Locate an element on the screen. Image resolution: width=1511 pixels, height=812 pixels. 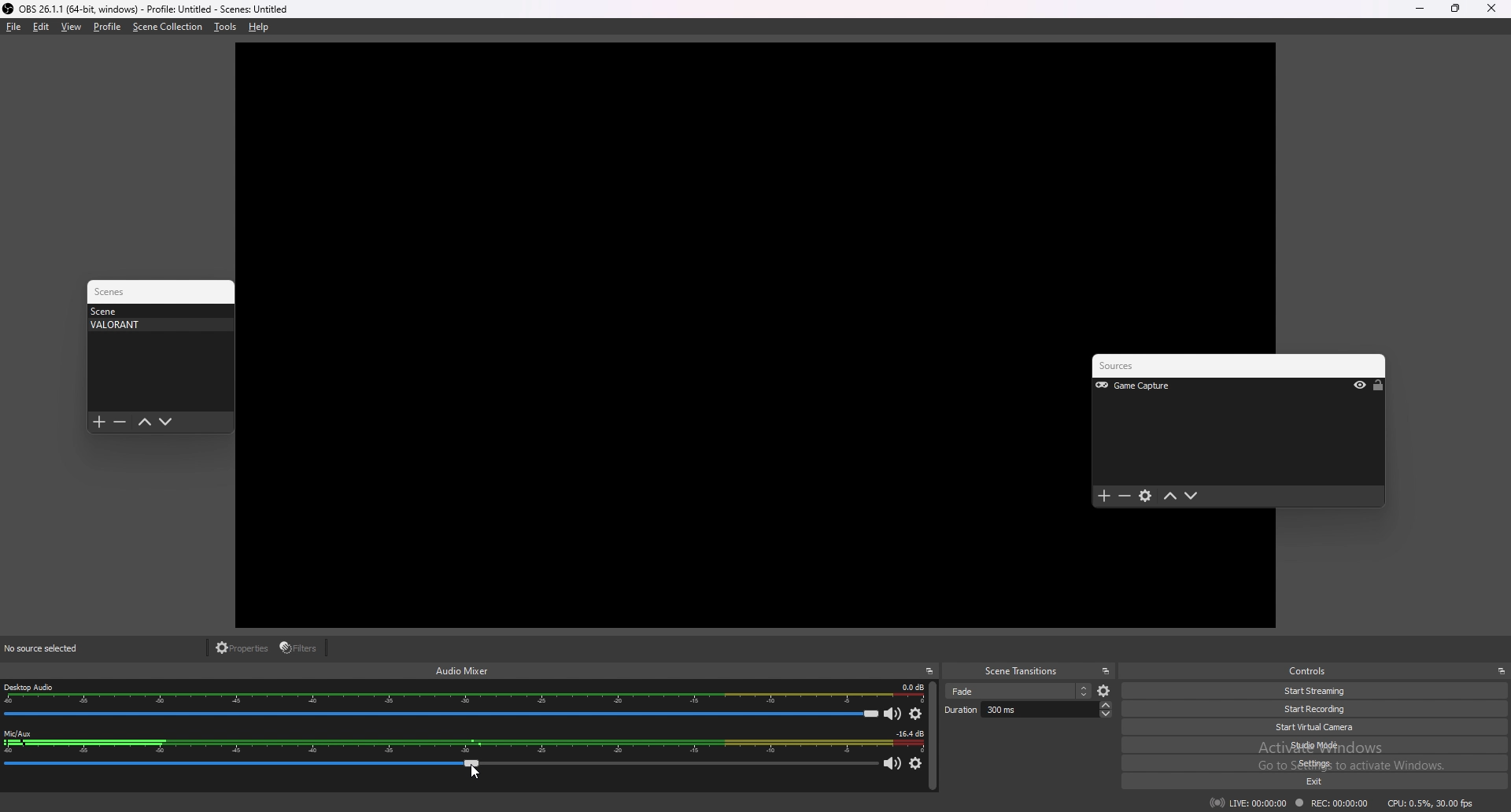
lock is located at coordinates (1378, 386).